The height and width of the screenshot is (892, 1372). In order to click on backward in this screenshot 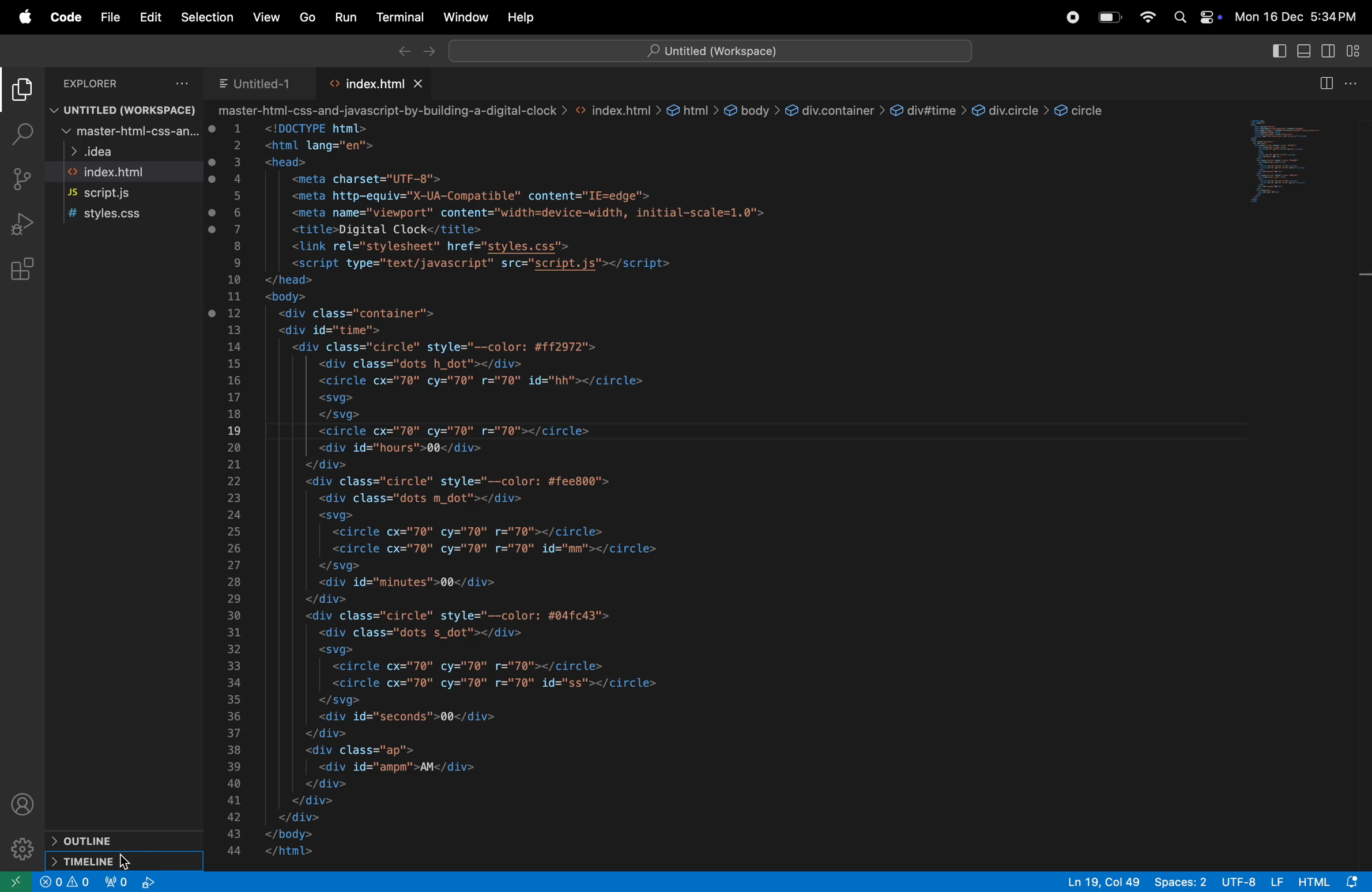, I will do `click(402, 50)`.